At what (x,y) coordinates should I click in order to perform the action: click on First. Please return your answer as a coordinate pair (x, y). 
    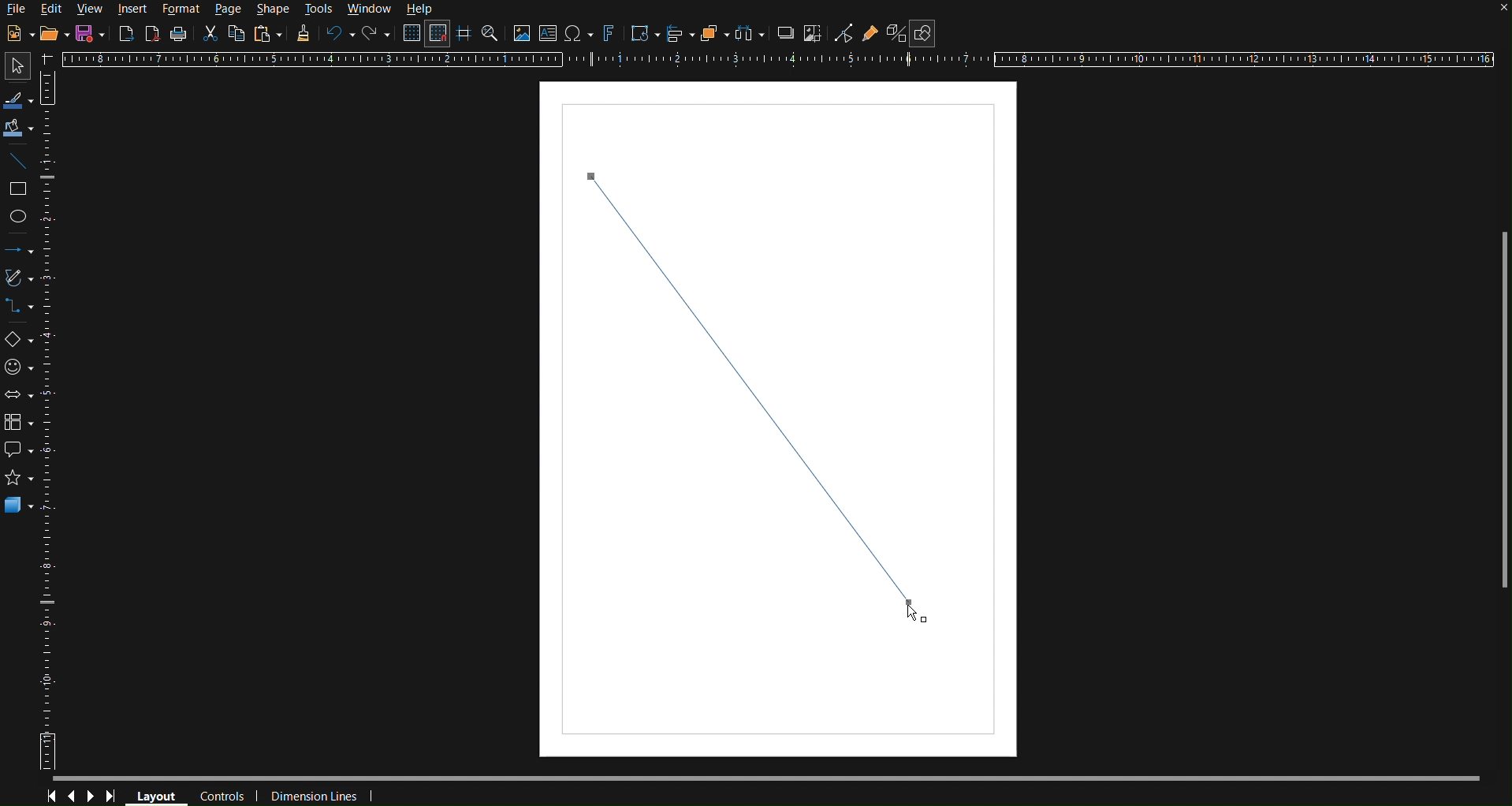
    Looking at the image, I should click on (50, 796).